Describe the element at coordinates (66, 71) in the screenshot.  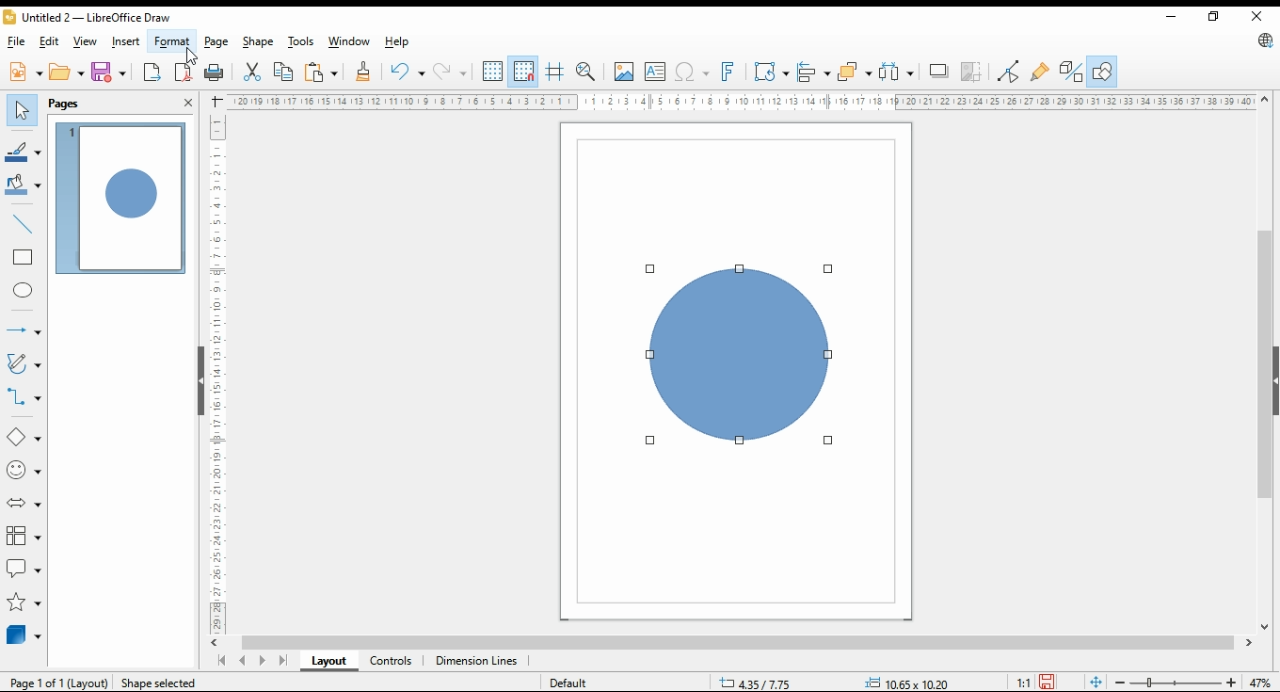
I see `open` at that location.